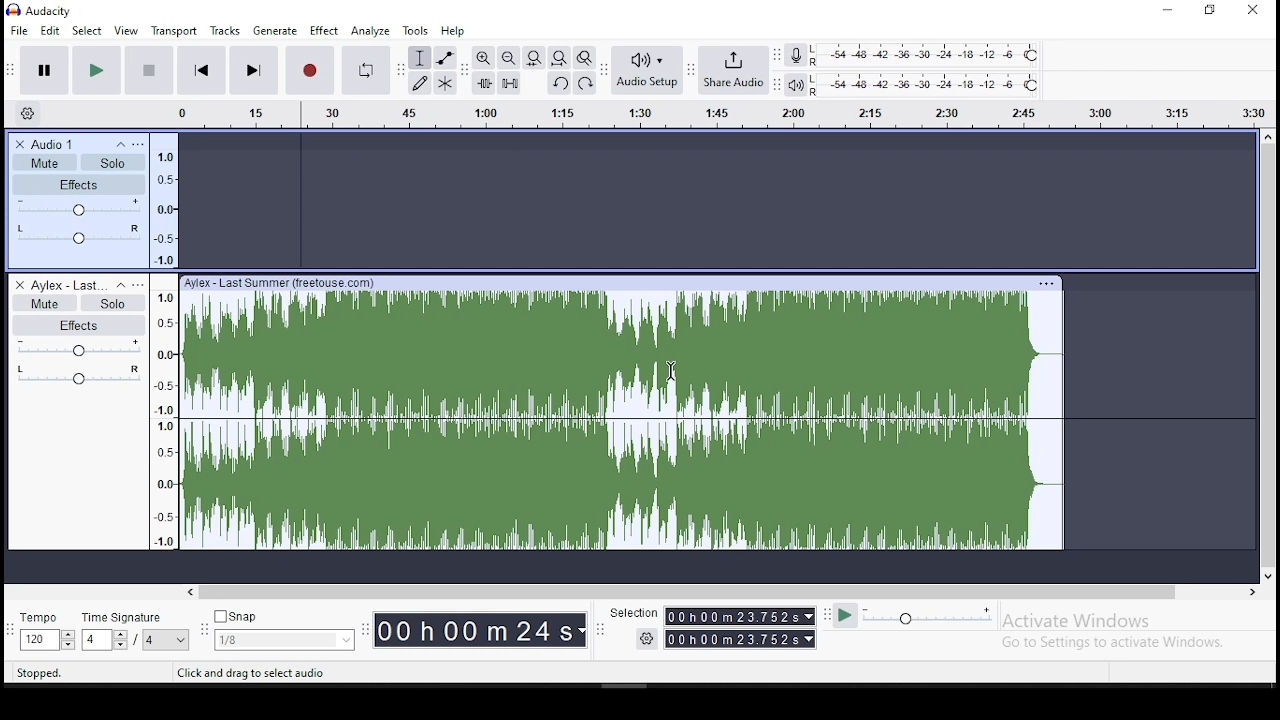 This screenshot has height=720, width=1280. Describe the element at coordinates (19, 30) in the screenshot. I see `file` at that location.